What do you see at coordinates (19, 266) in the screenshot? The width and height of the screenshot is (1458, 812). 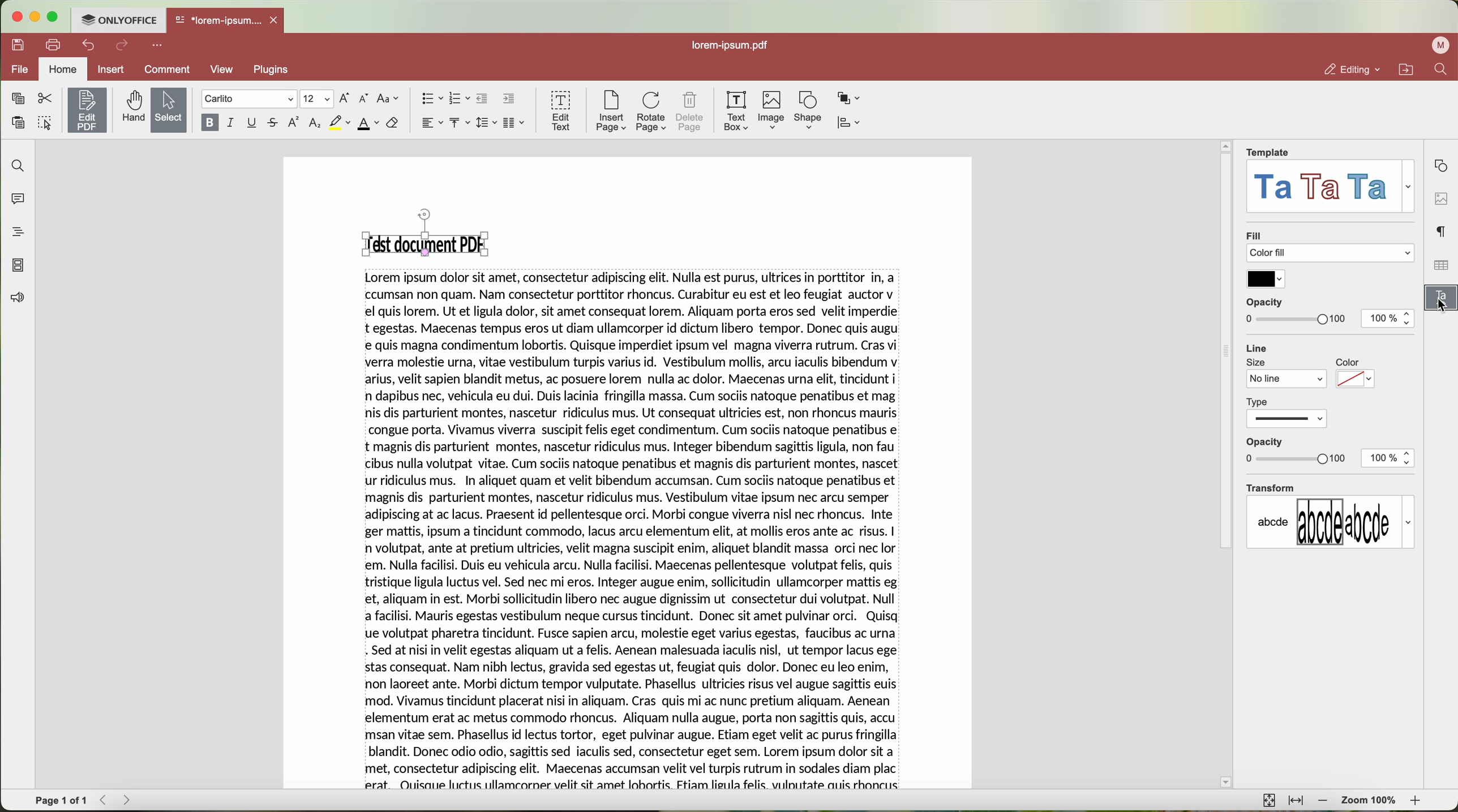 I see `page thumbnails` at bounding box center [19, 266].